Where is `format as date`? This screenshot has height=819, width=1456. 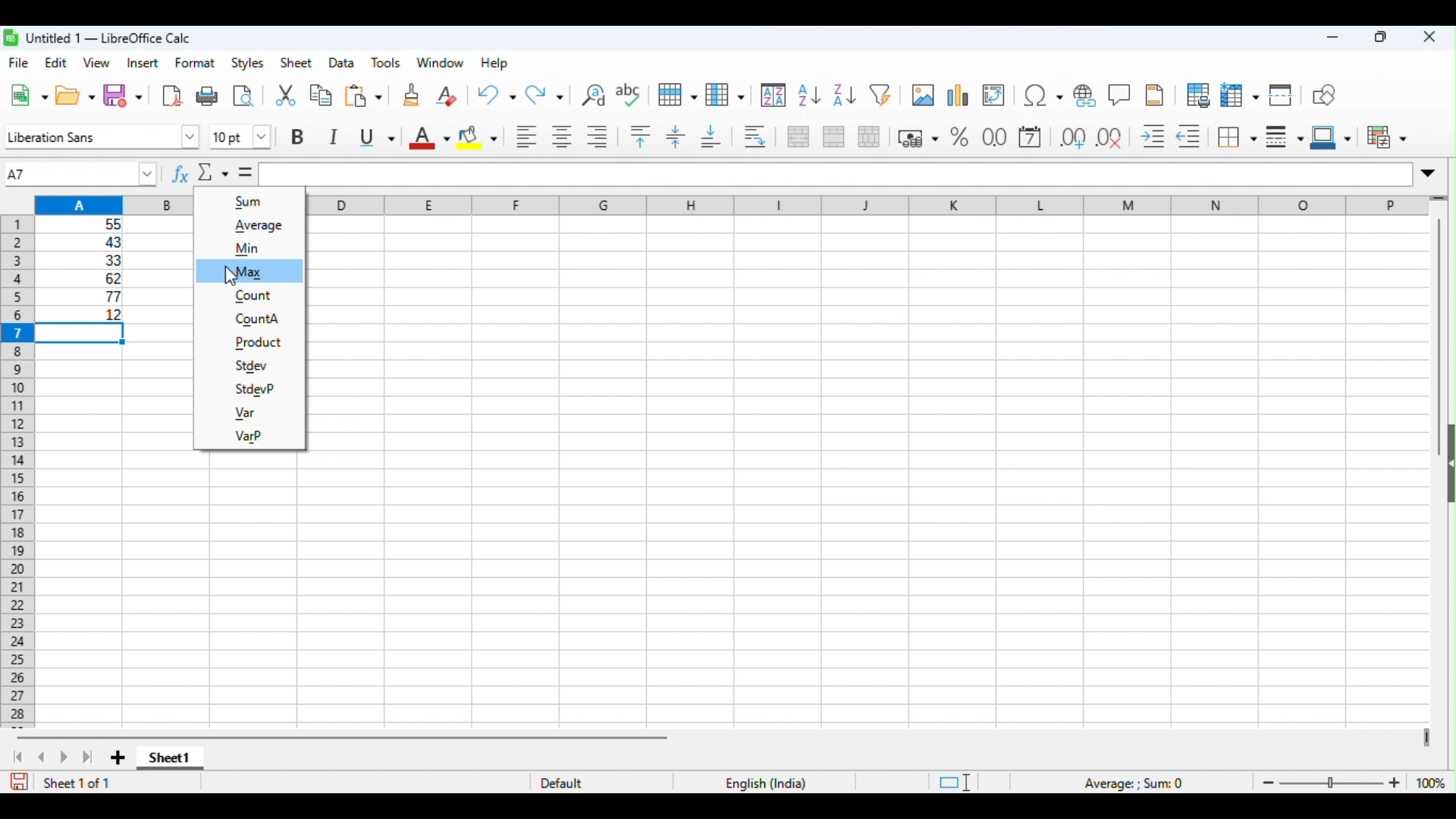 format as date is located at coordinates (1032, 137).